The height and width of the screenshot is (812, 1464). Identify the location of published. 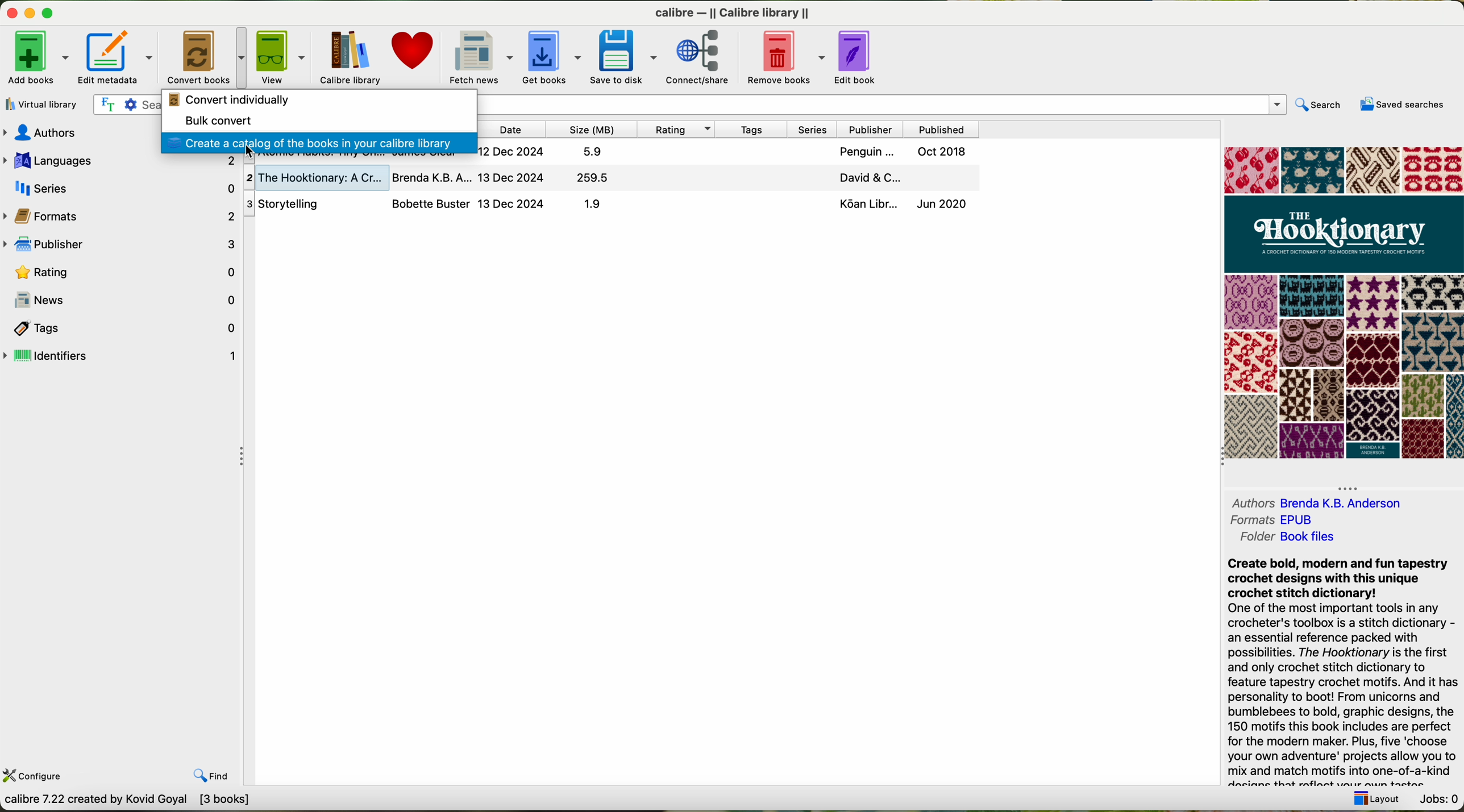
(942, 130).